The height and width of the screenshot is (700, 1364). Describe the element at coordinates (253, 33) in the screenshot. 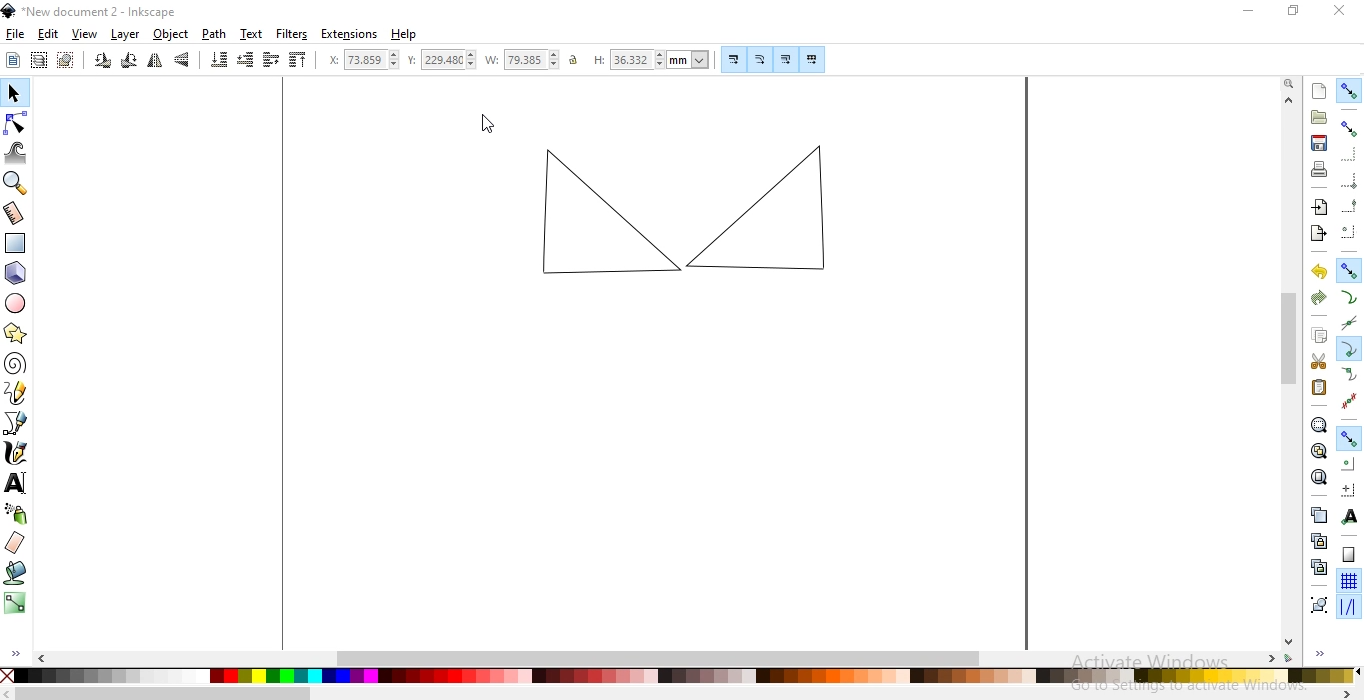

I see `text` at that location.